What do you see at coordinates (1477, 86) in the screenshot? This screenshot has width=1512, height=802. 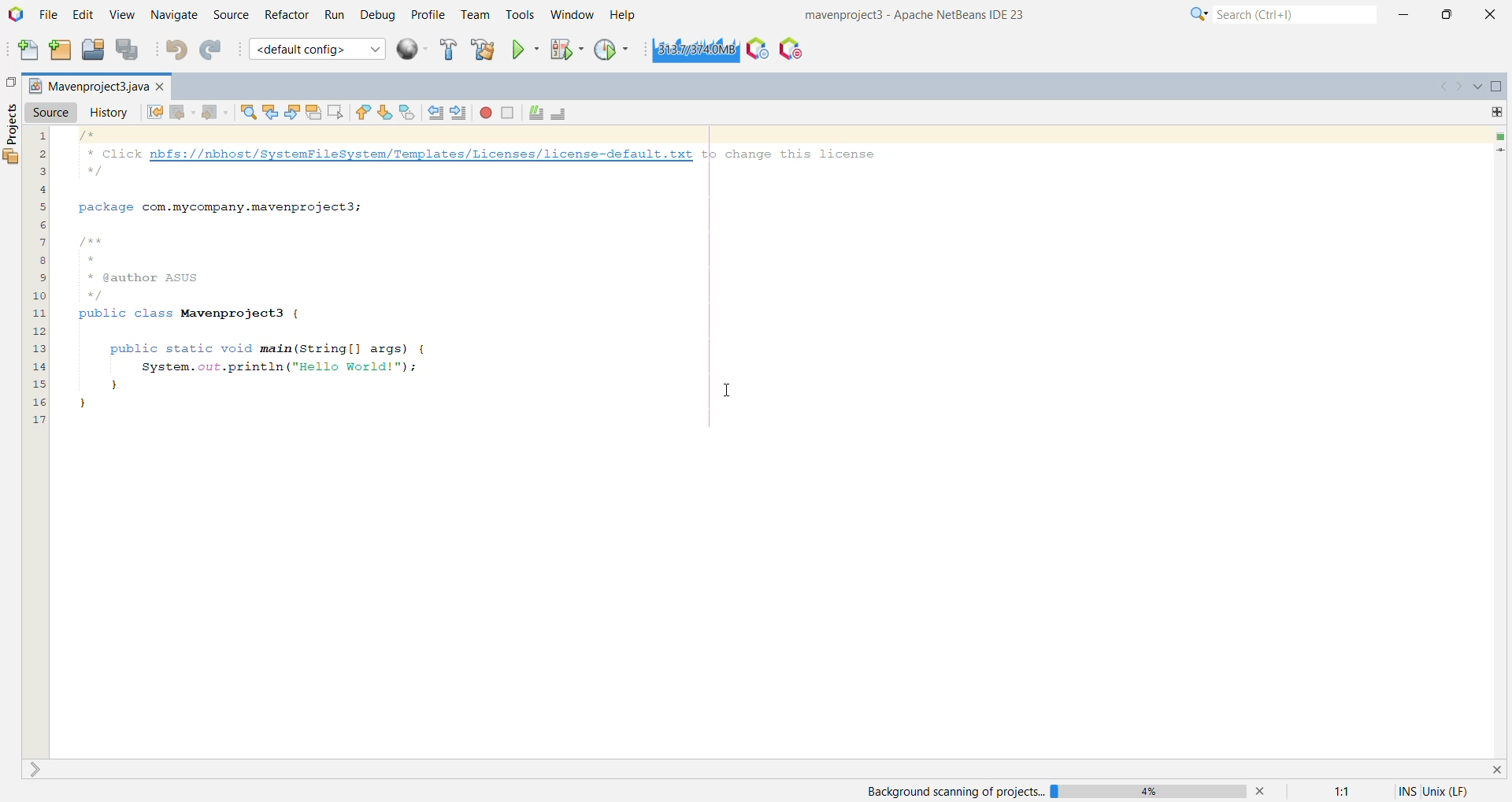 I see `Show Opened Documents List` at bounding box center [1477, 86].